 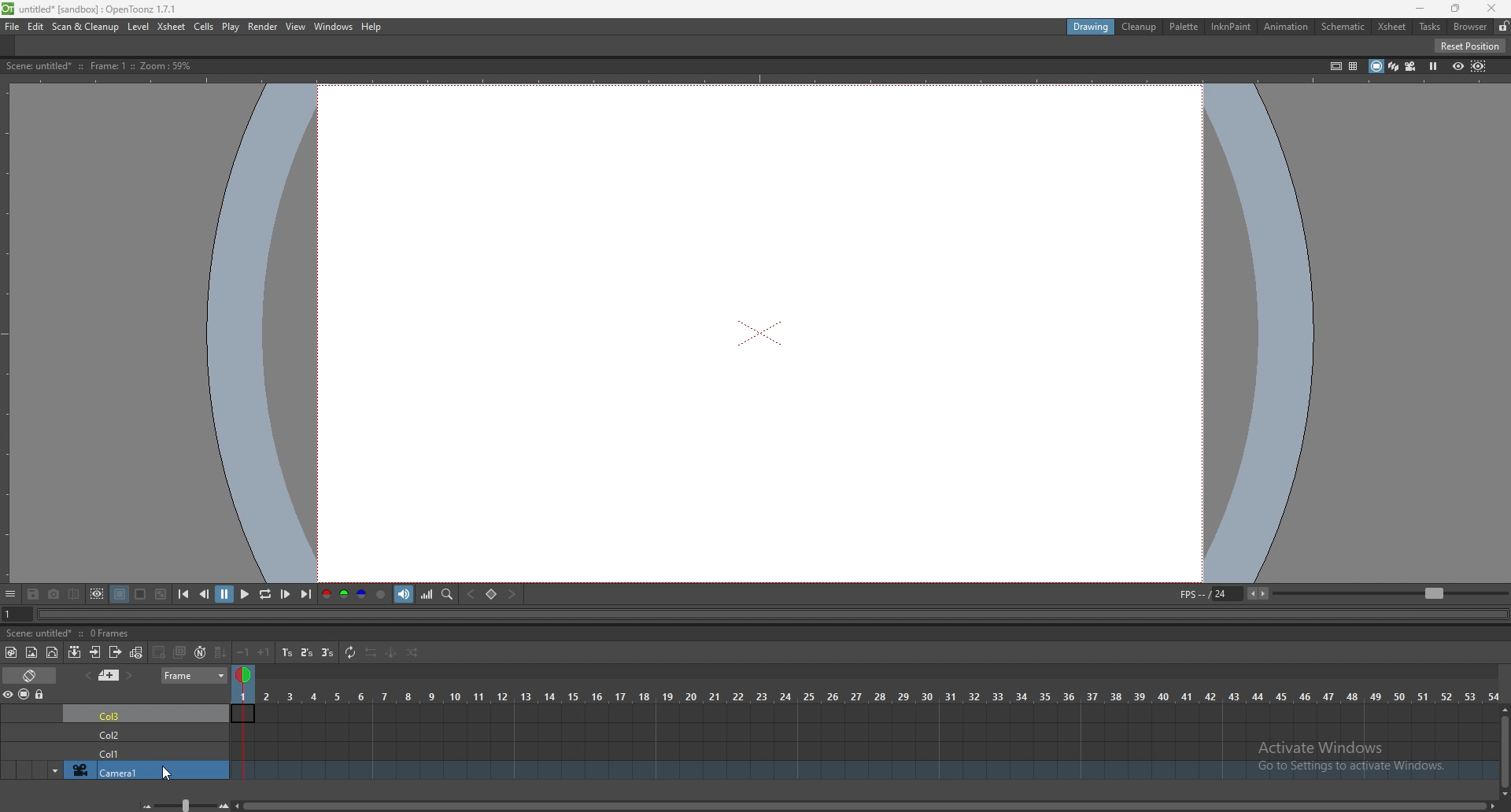 I want to click on soundtrack, so click(x=405, y=594).